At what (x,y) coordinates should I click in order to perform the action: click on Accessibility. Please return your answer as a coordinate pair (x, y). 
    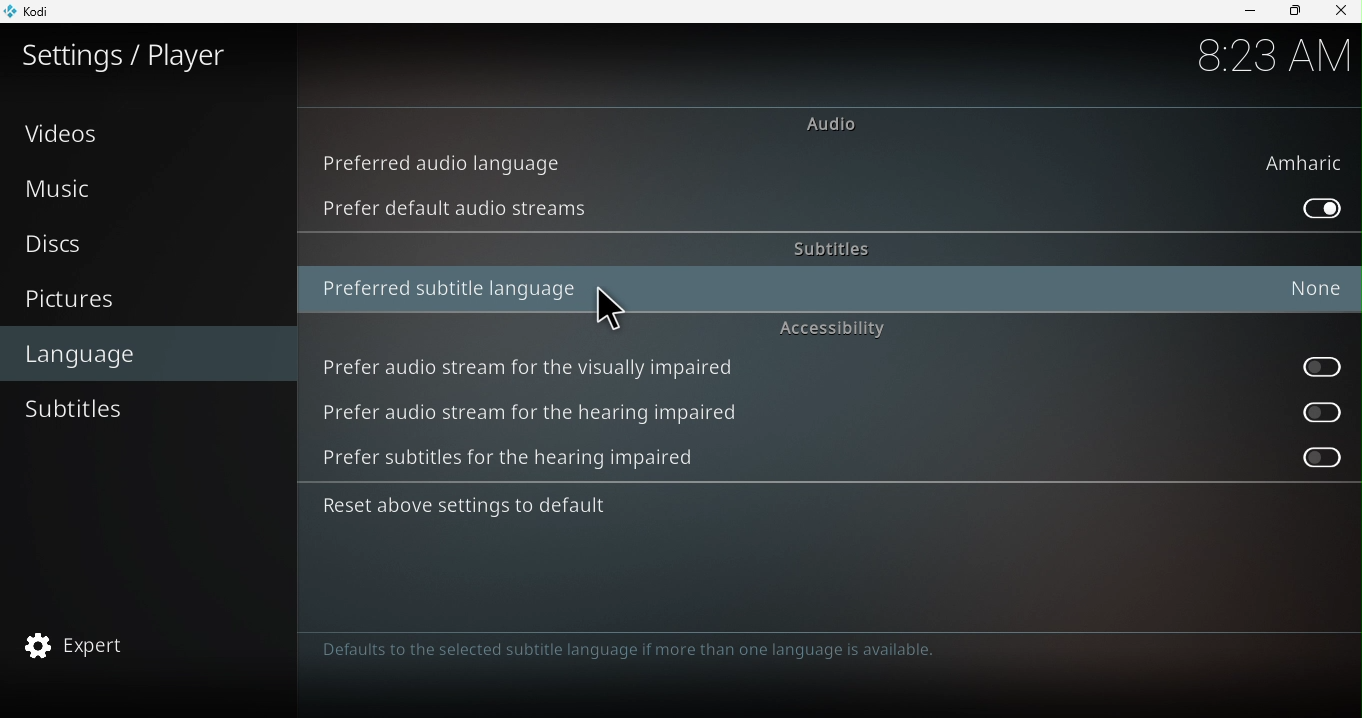
    Looking at the image, I should click on (834, 327).